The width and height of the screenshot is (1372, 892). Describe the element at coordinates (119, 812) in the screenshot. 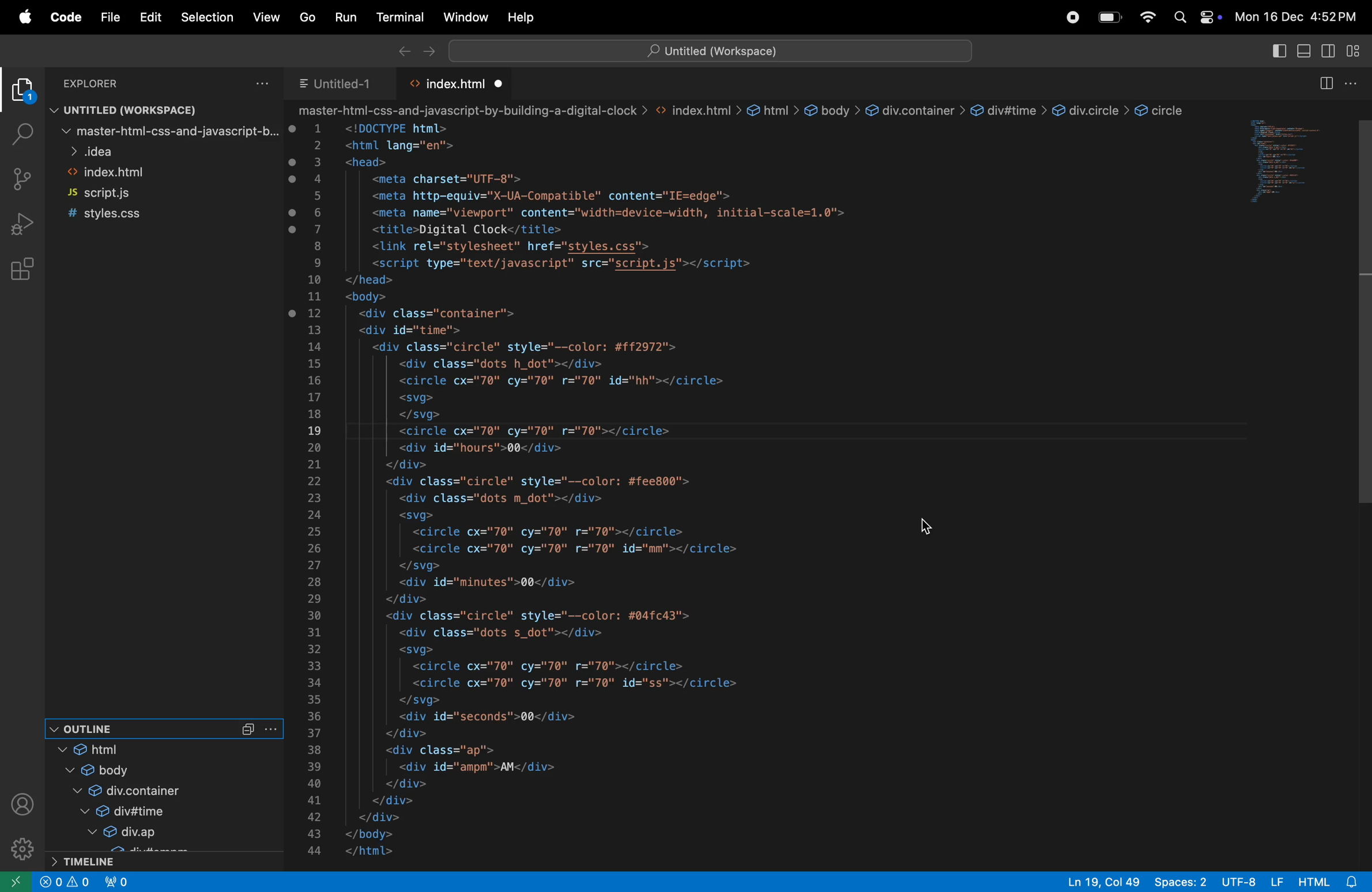

I see `div time` at that location.